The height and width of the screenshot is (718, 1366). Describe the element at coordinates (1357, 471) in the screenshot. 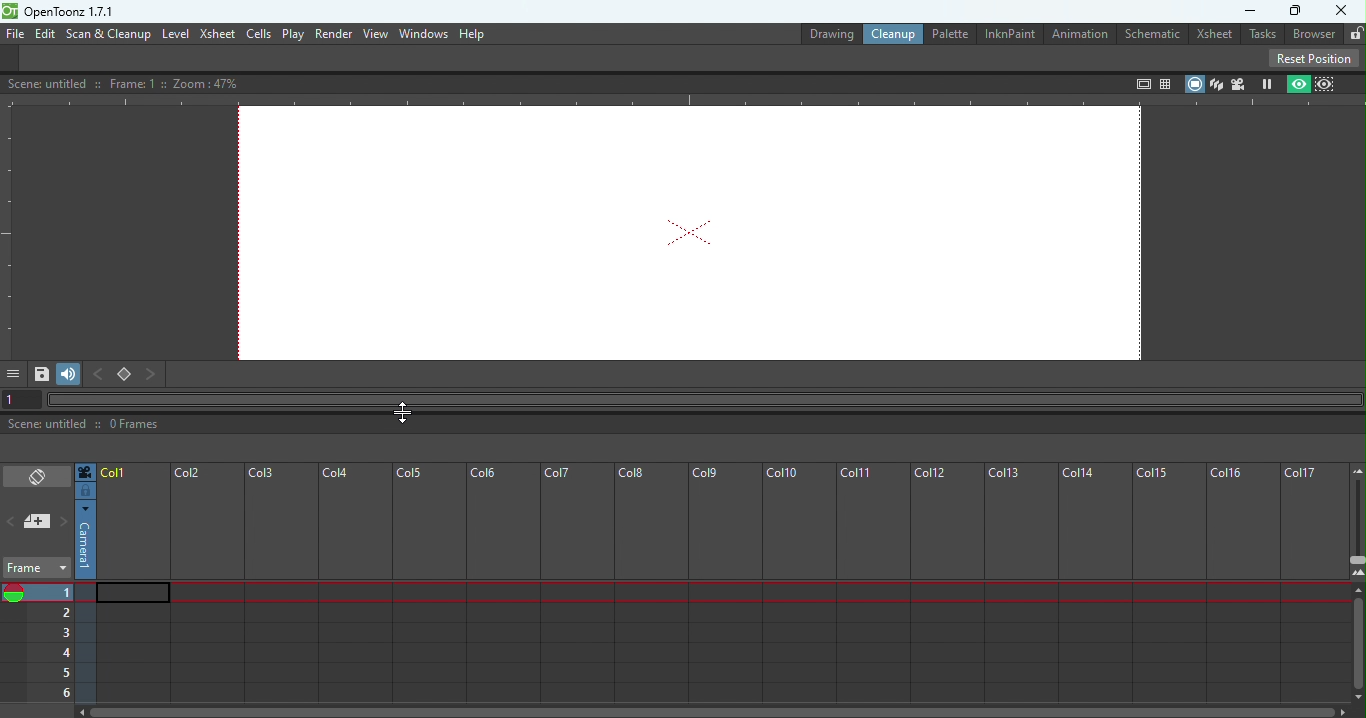

I see `Zoom out` at that location.